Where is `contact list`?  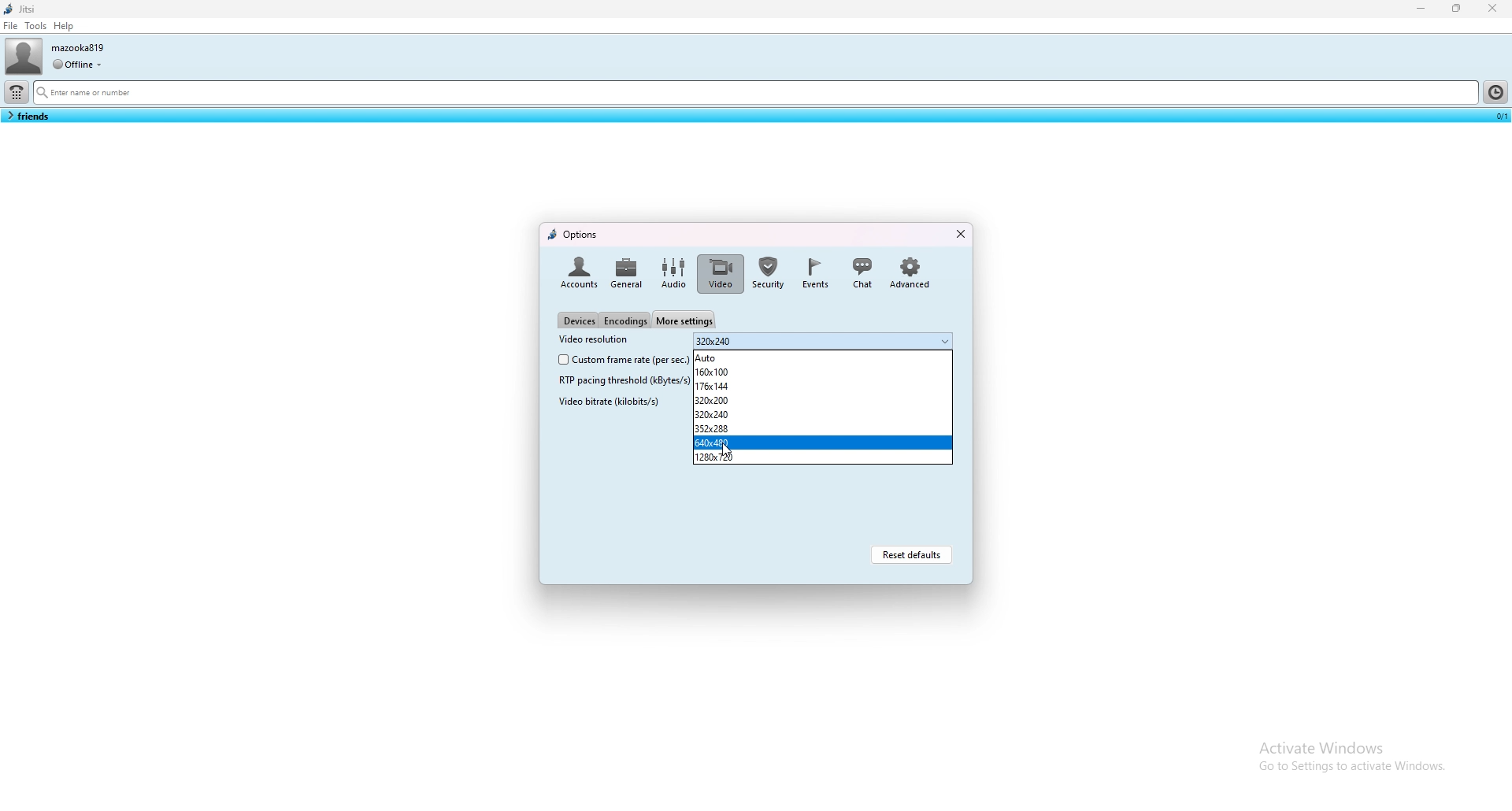
contact list is located at coordinates (28, 116).